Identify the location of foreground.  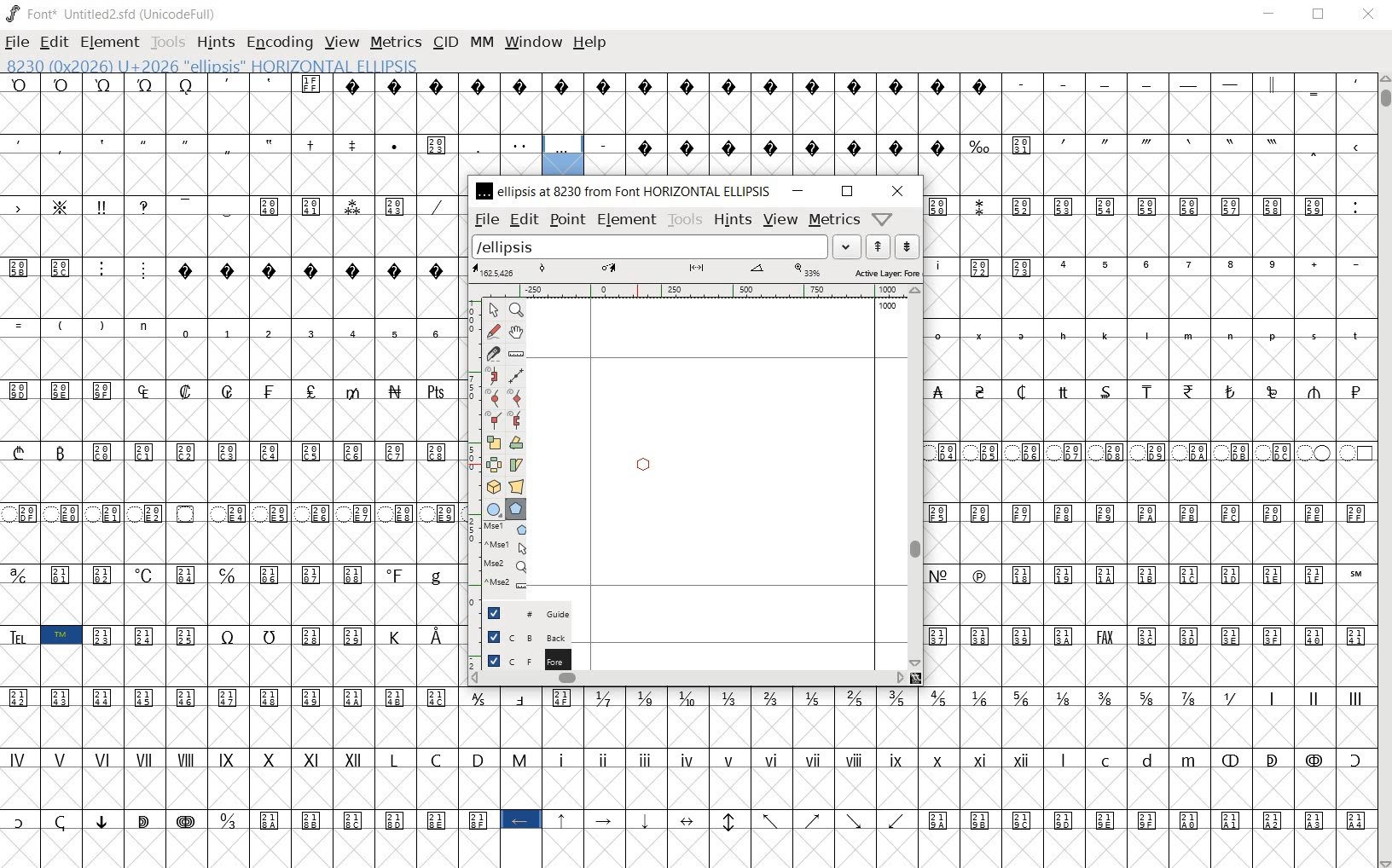
(519, 658).